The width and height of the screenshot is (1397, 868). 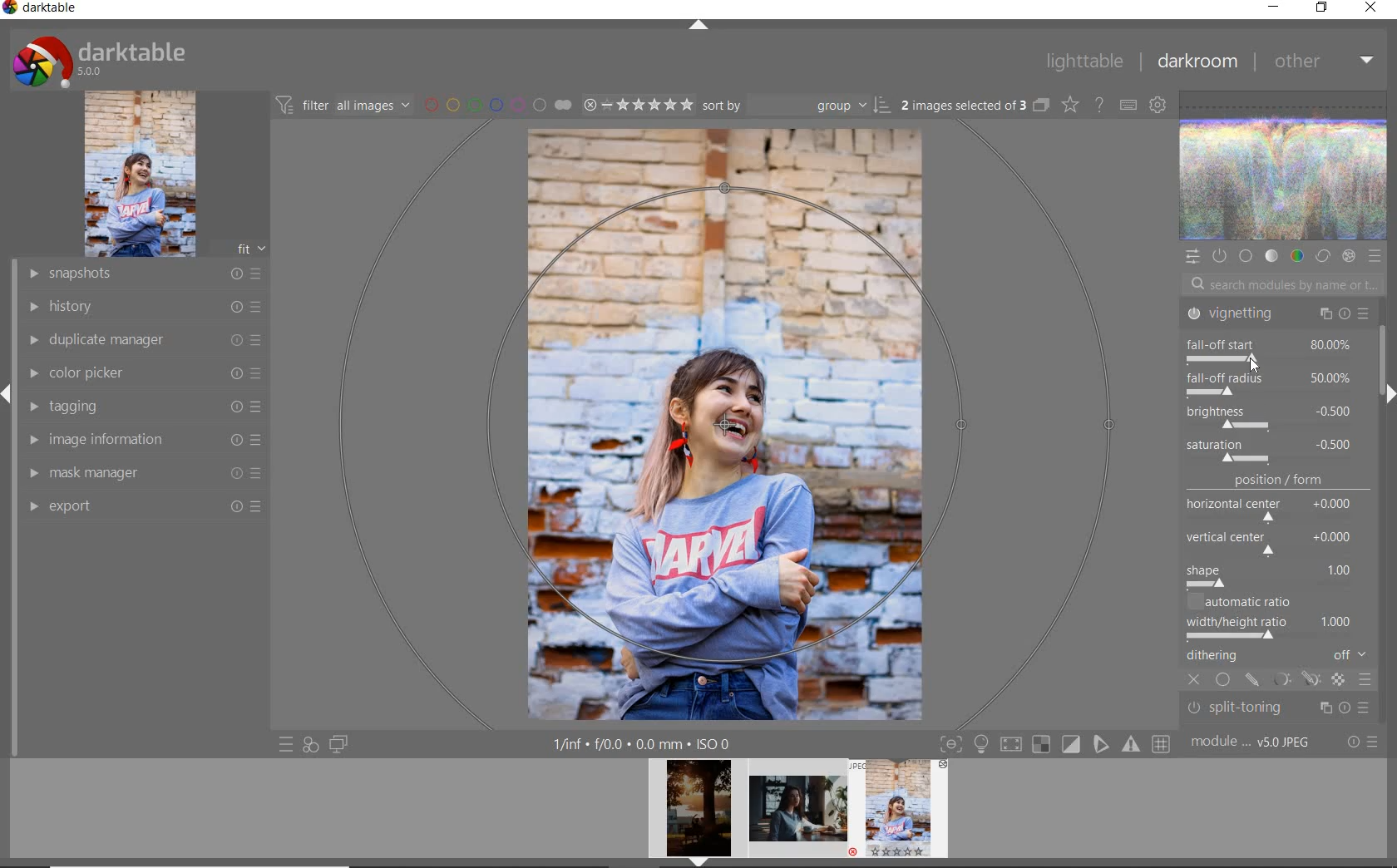 What do you see at coordinates (1196, 681) in the screenshot?
I see `close` at bounding box center [1196, 681].